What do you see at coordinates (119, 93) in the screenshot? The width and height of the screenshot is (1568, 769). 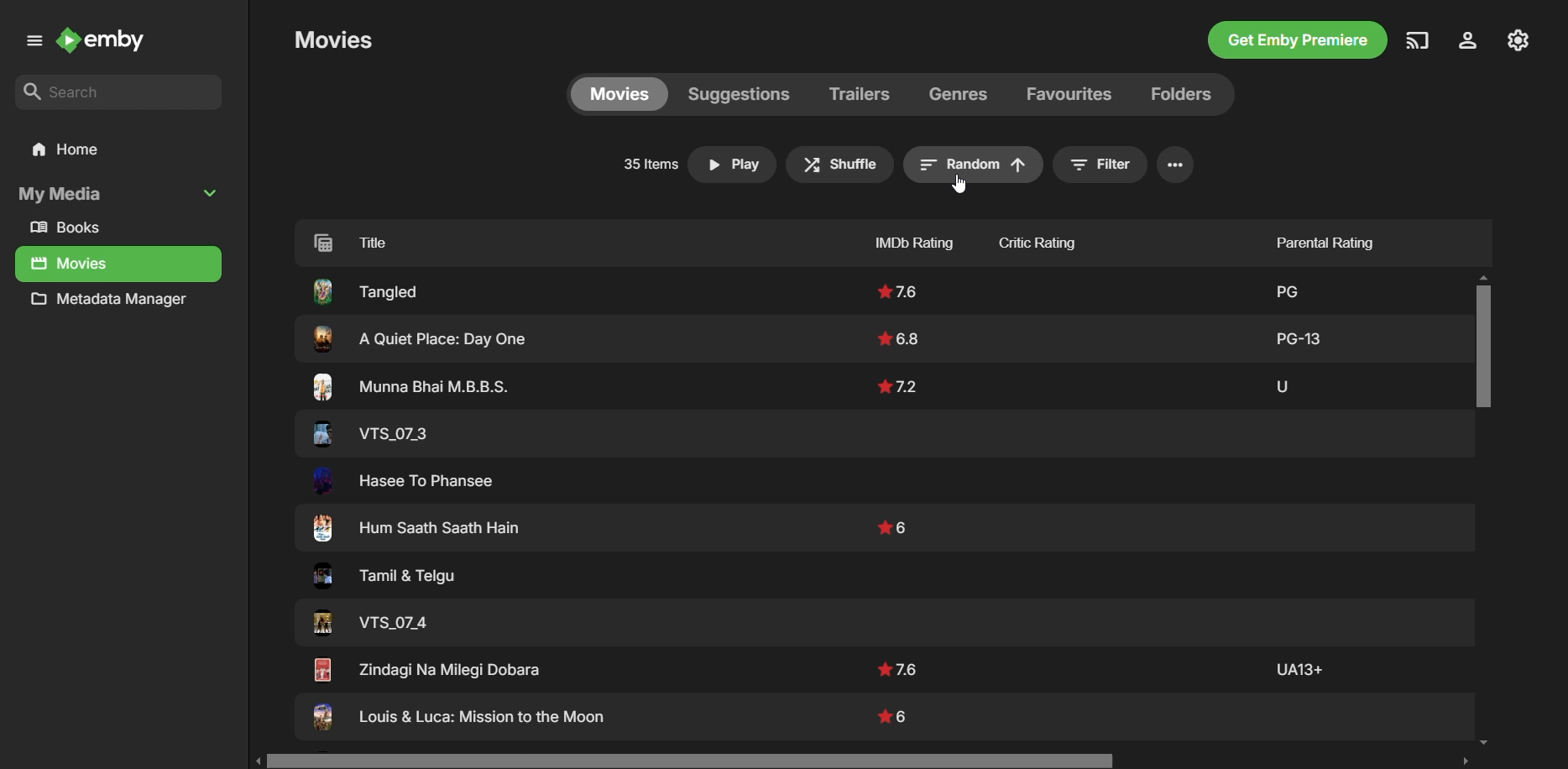 I see `Search` at bounding box center [119, 93].